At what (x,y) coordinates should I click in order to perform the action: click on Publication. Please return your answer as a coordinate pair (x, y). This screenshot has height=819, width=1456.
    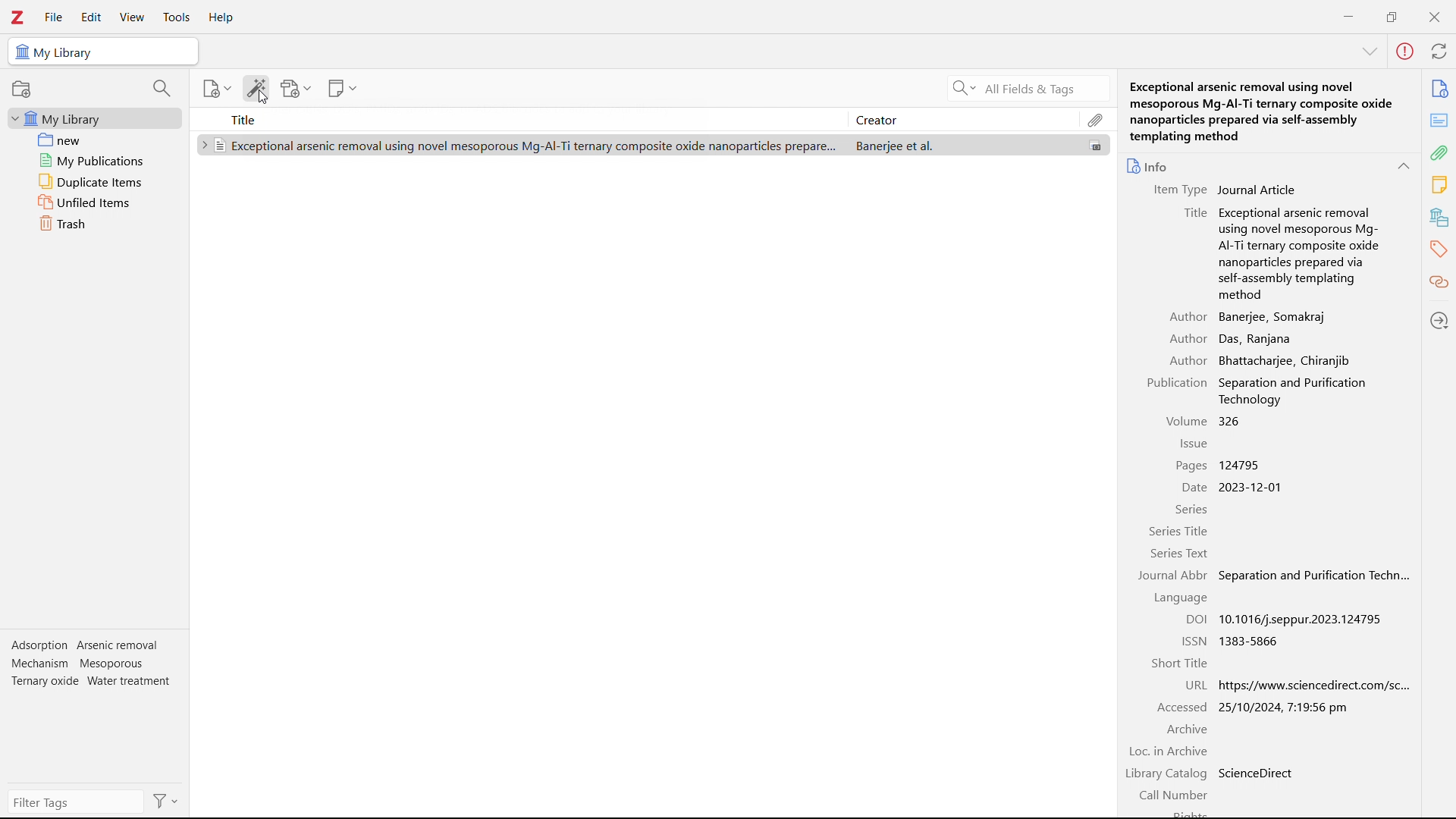
    Looking at the image, I should click on (1178, 383).